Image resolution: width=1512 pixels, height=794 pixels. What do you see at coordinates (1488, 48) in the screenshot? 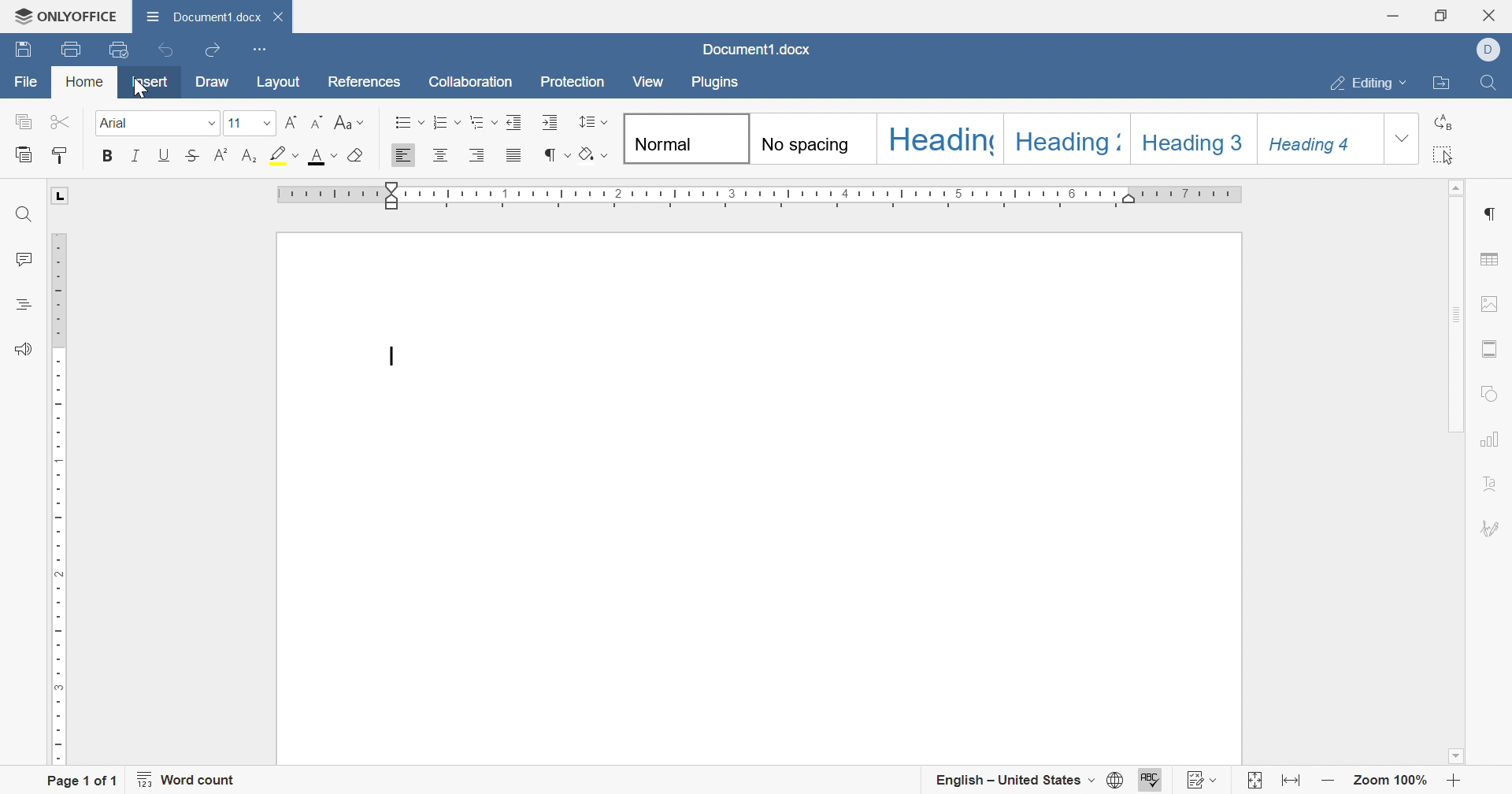
I see `Dell` at bounding box center [1488, 48].